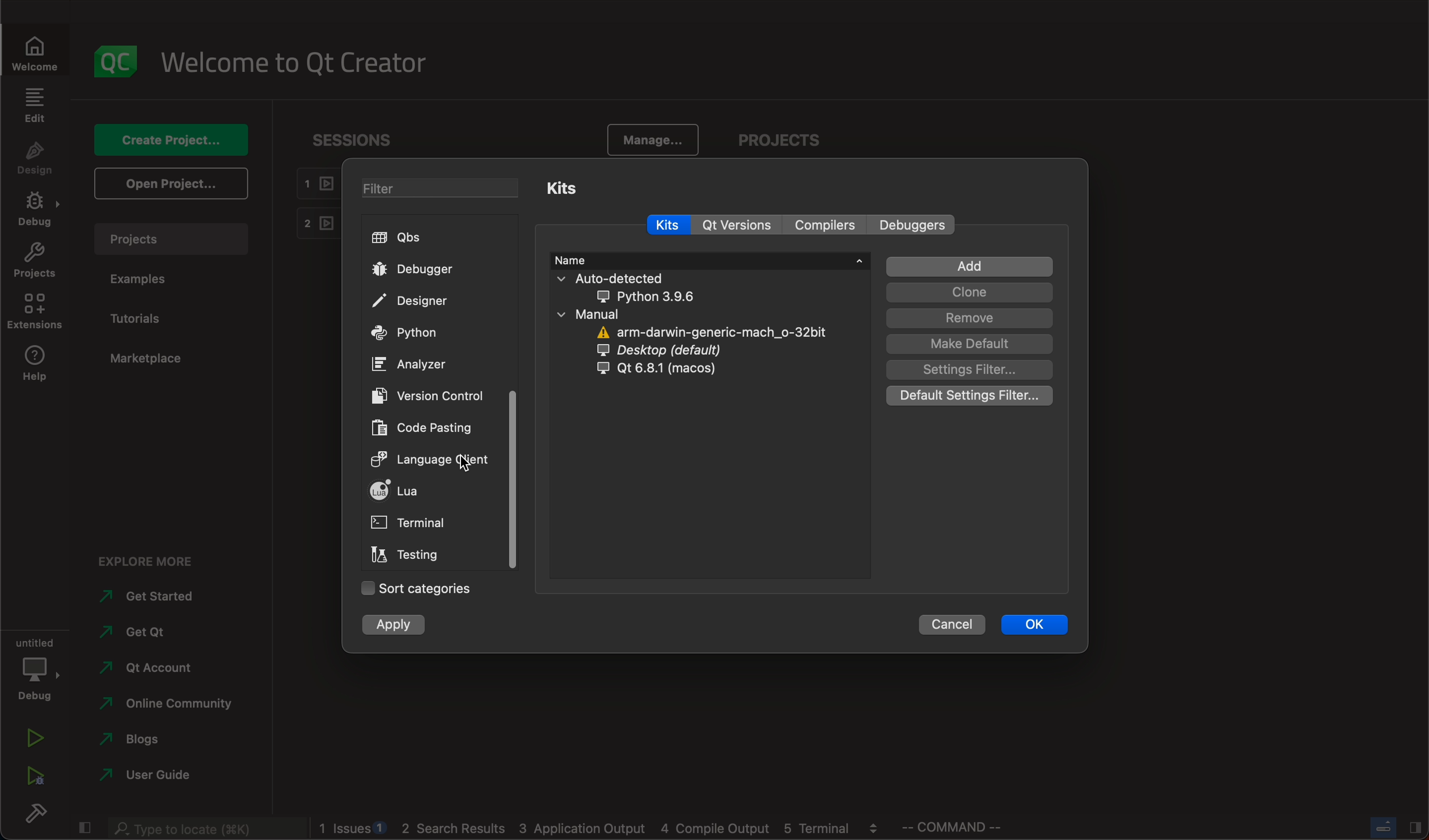 The image size is (1429, 840). Describe the element at coordinates (968, 292) in the screenshot. I see `clone` at that location.